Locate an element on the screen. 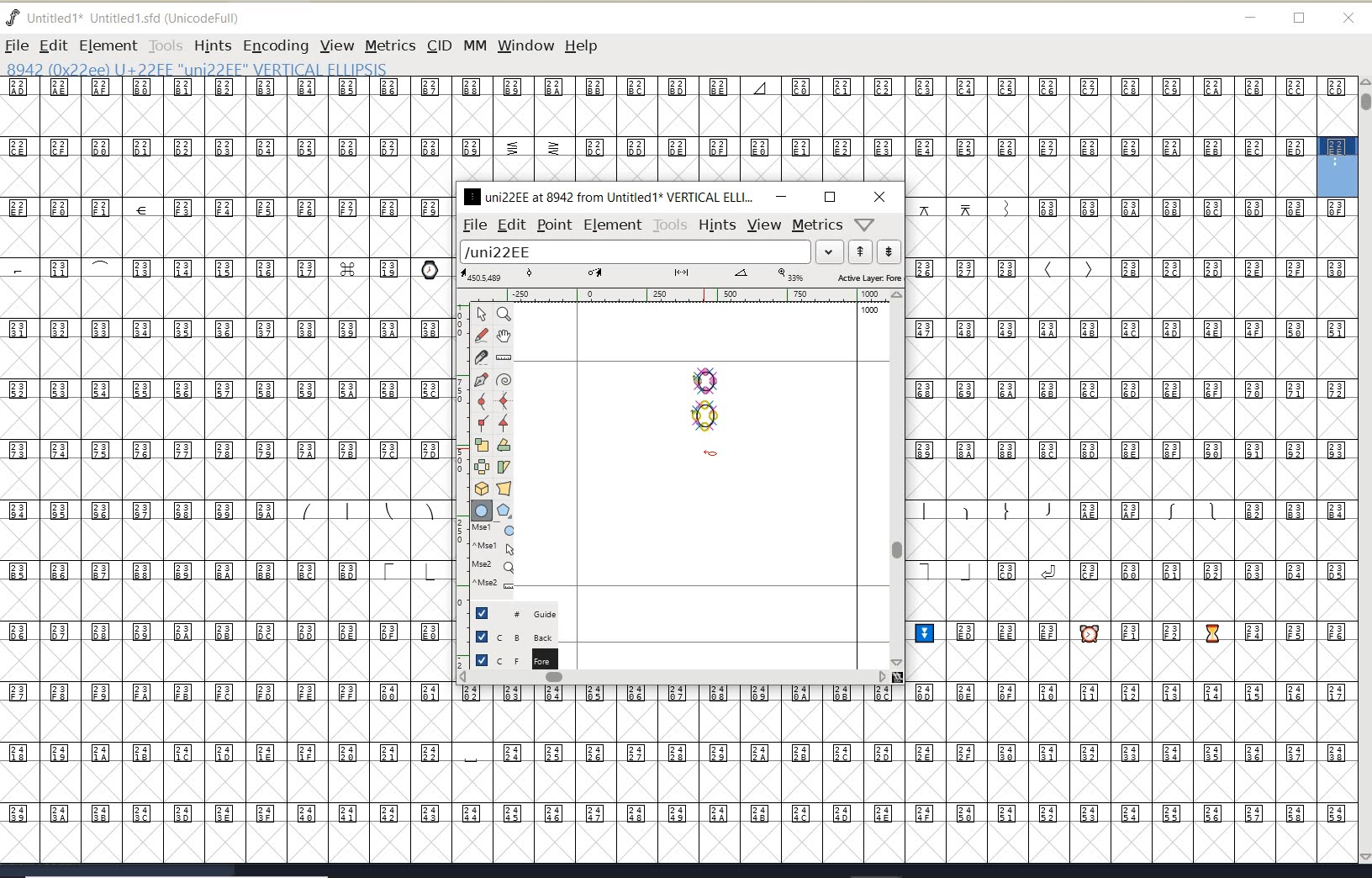 This screenshot has height=878, width=1372. EDIT is located at coordinates (53, 45).